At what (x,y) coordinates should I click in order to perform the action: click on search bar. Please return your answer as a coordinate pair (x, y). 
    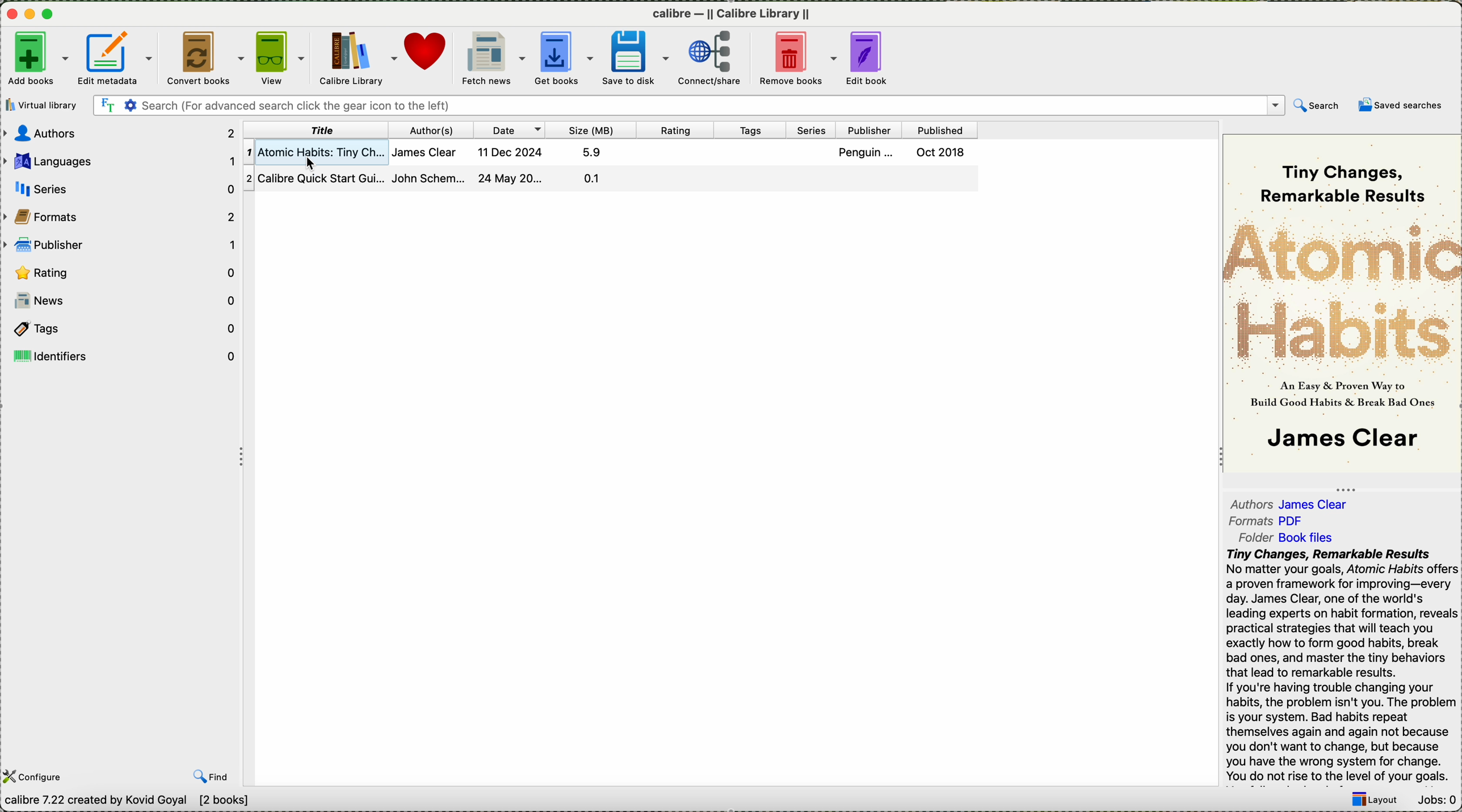
    Looking at the image, I should click on (715, 106).